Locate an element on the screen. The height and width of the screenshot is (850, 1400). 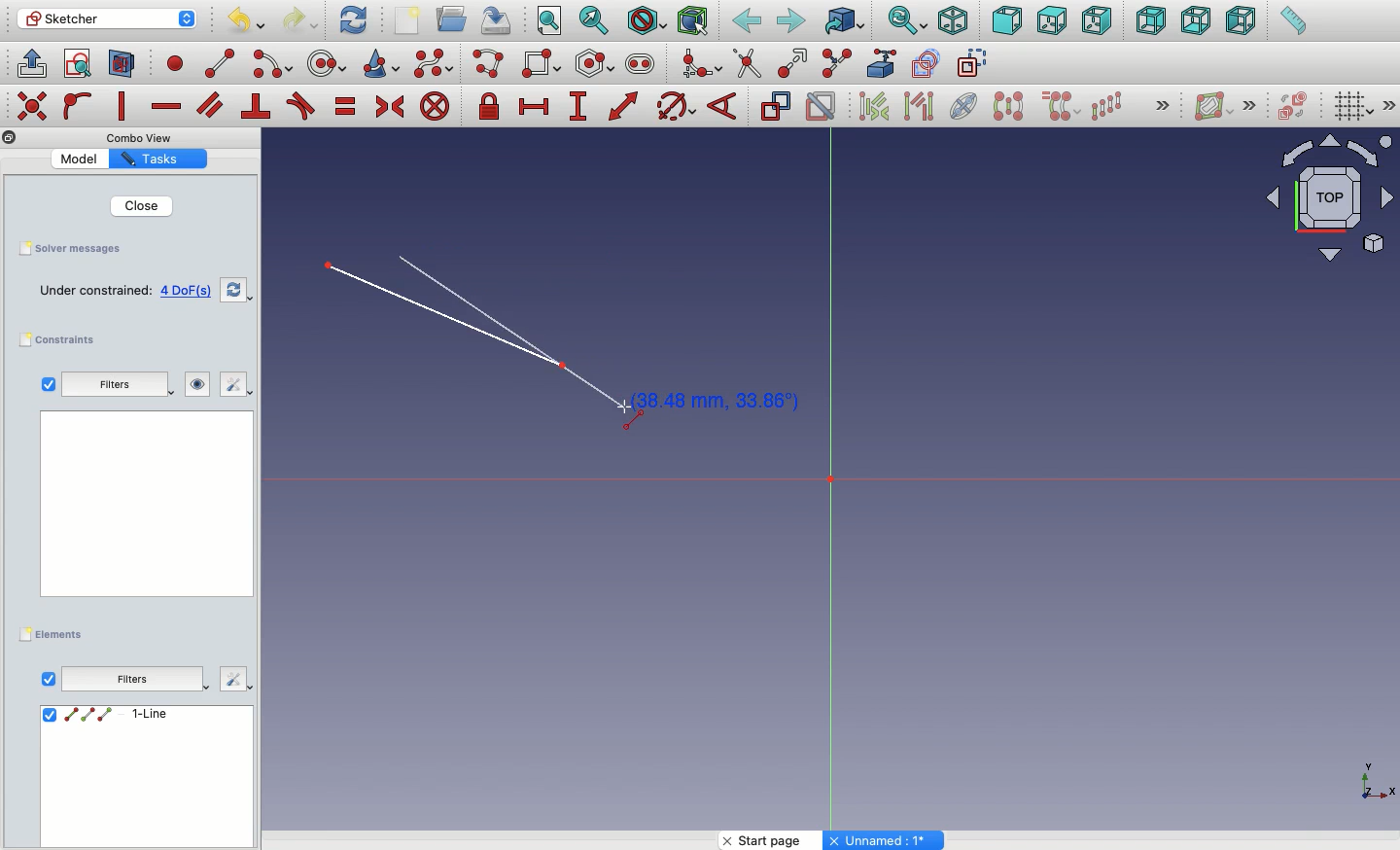
 is located at coordinates (137, 680).